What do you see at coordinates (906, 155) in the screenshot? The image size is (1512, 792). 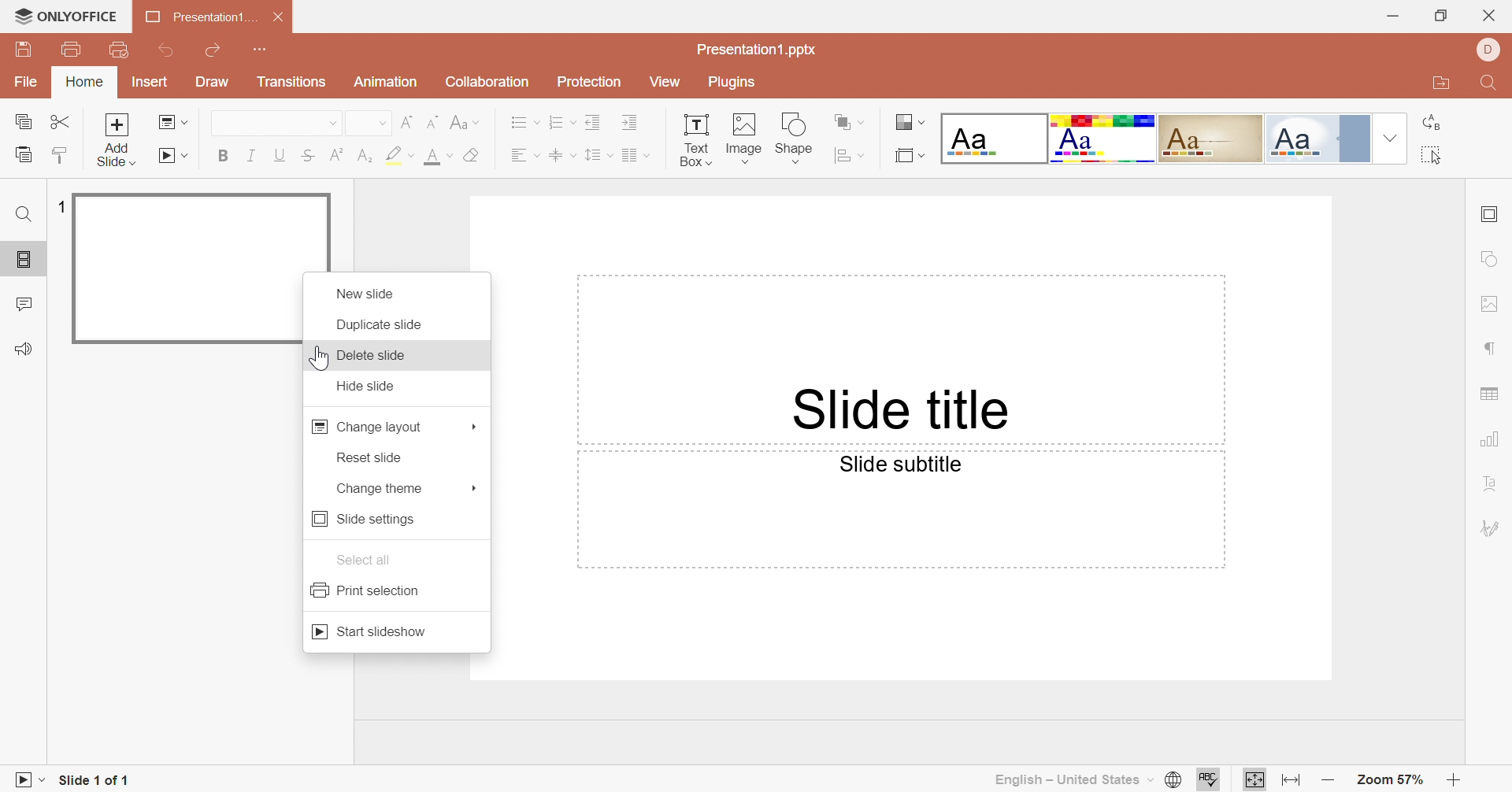 I see `Select Slide size` at bounding box center [906, 155].